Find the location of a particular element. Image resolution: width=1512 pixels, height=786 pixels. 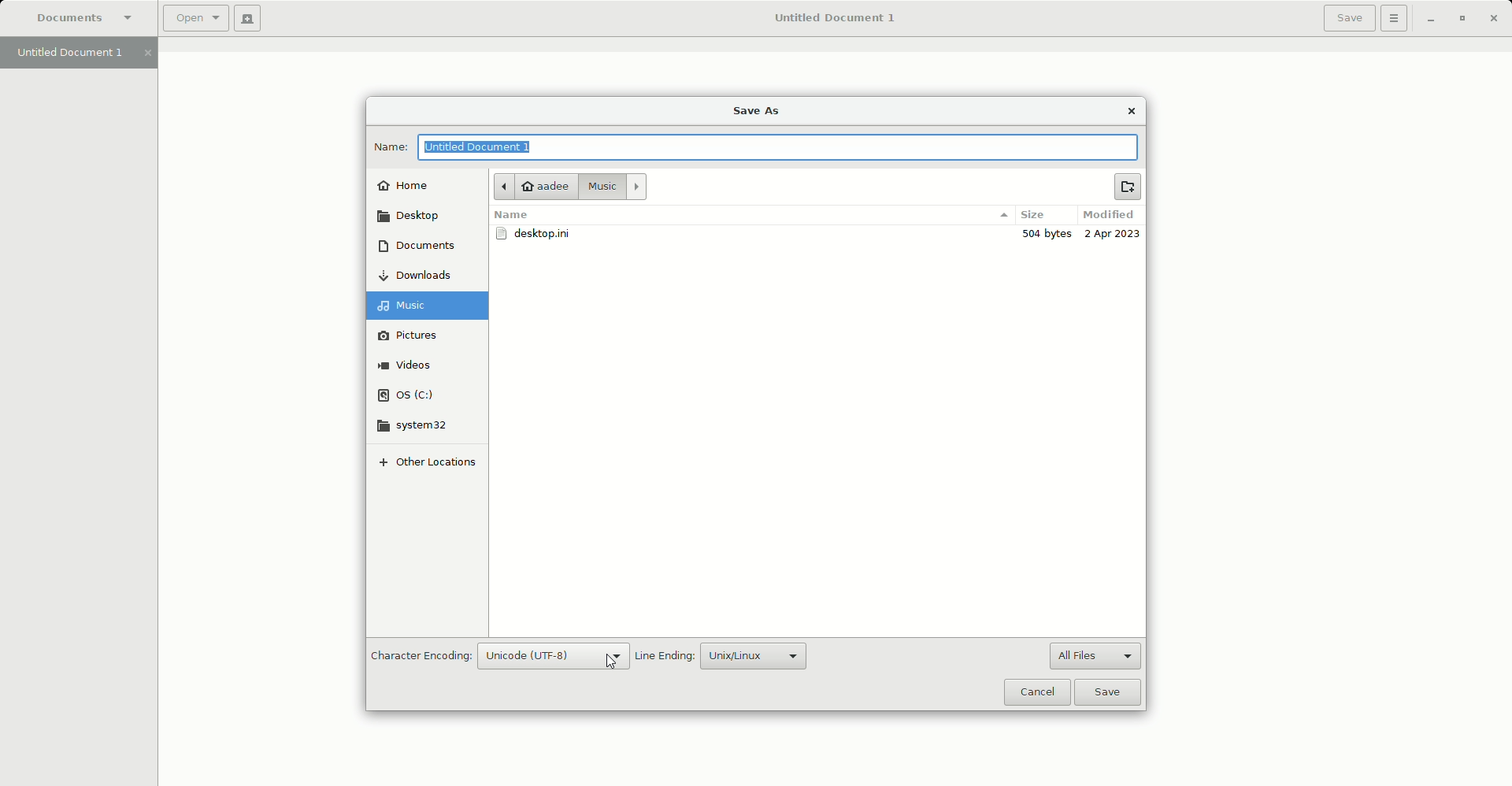

Unicode is located at coordinates (552, 656).